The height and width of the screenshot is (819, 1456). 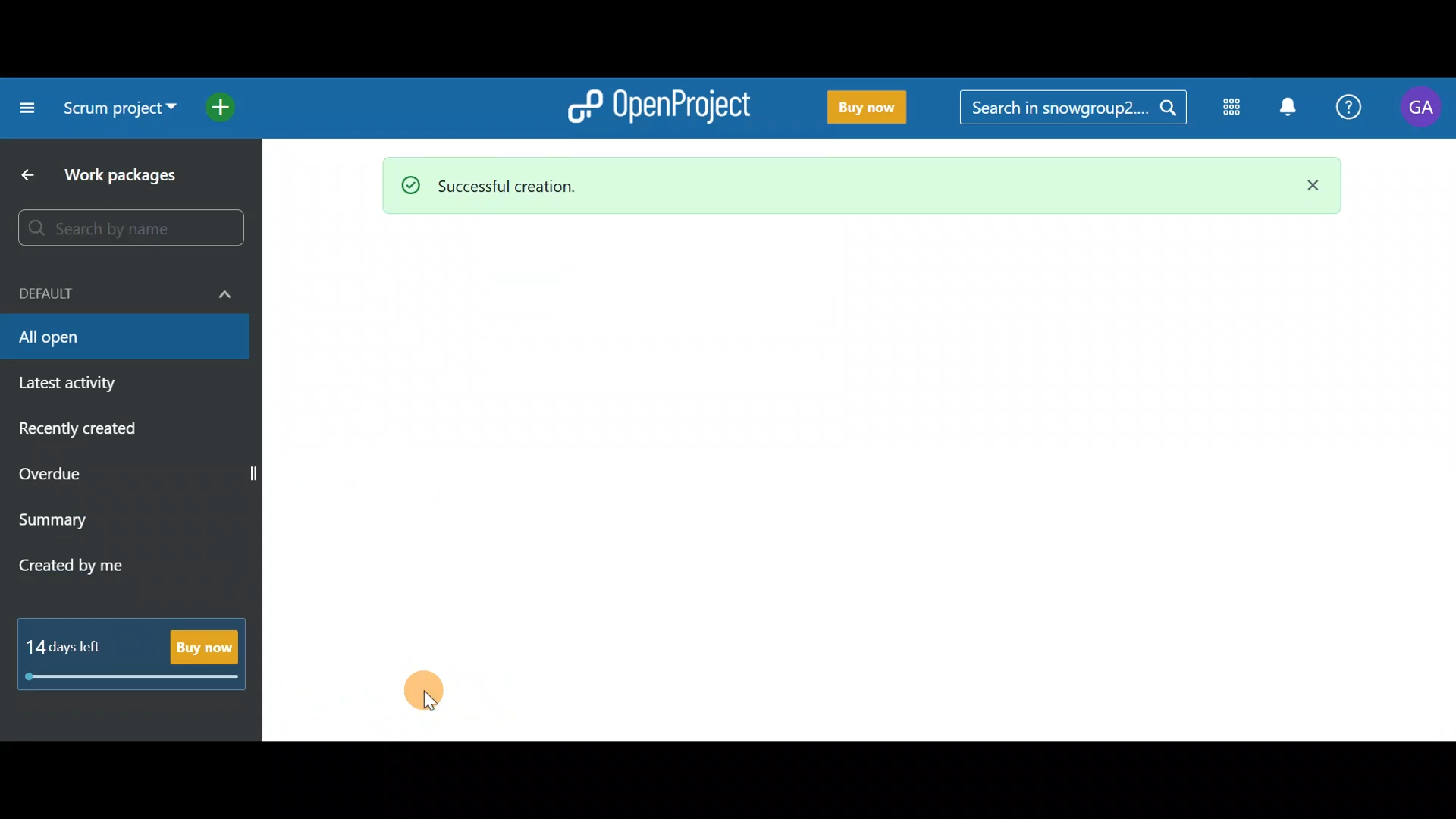 What do you see at coordinates (122, 290) in the screenshot?
I see `Default` at bounding box center [122, 290].